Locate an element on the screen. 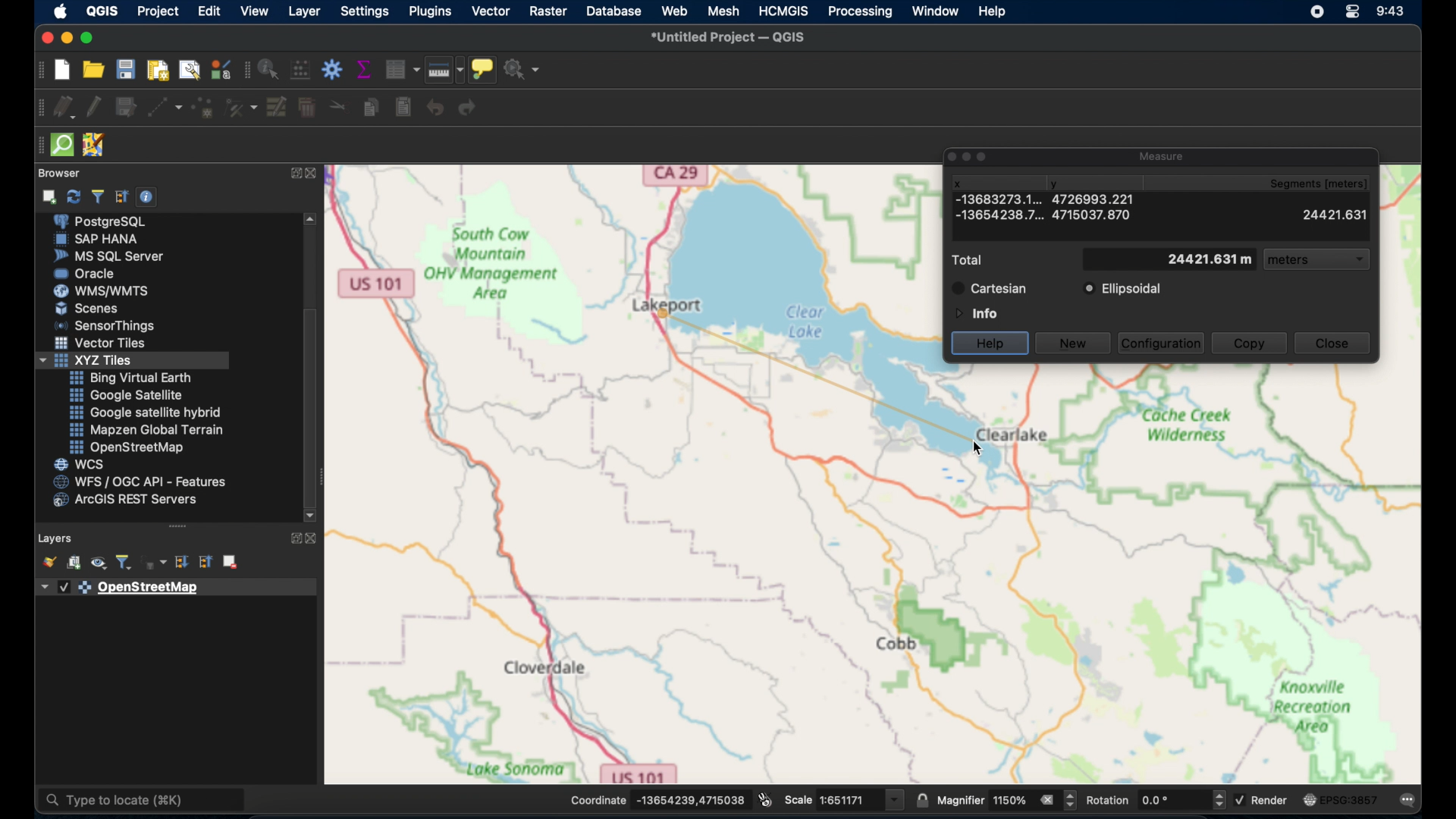 The height and width of the screenshot is (819, 1456). inactive icons is located at coordinates (968, 156).